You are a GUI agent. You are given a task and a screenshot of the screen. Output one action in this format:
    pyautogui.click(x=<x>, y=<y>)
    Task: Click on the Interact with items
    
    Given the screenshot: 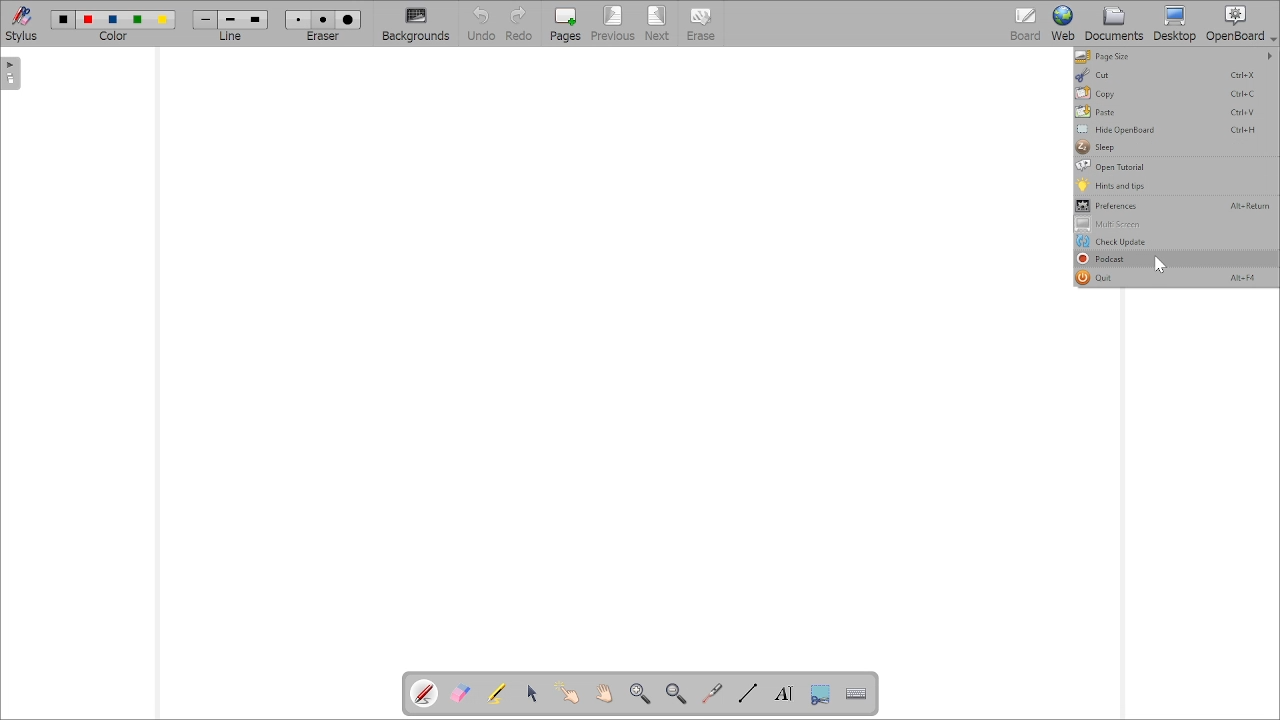 What is the action you would take?
    pyautogui.click(x=566, y=693)
    